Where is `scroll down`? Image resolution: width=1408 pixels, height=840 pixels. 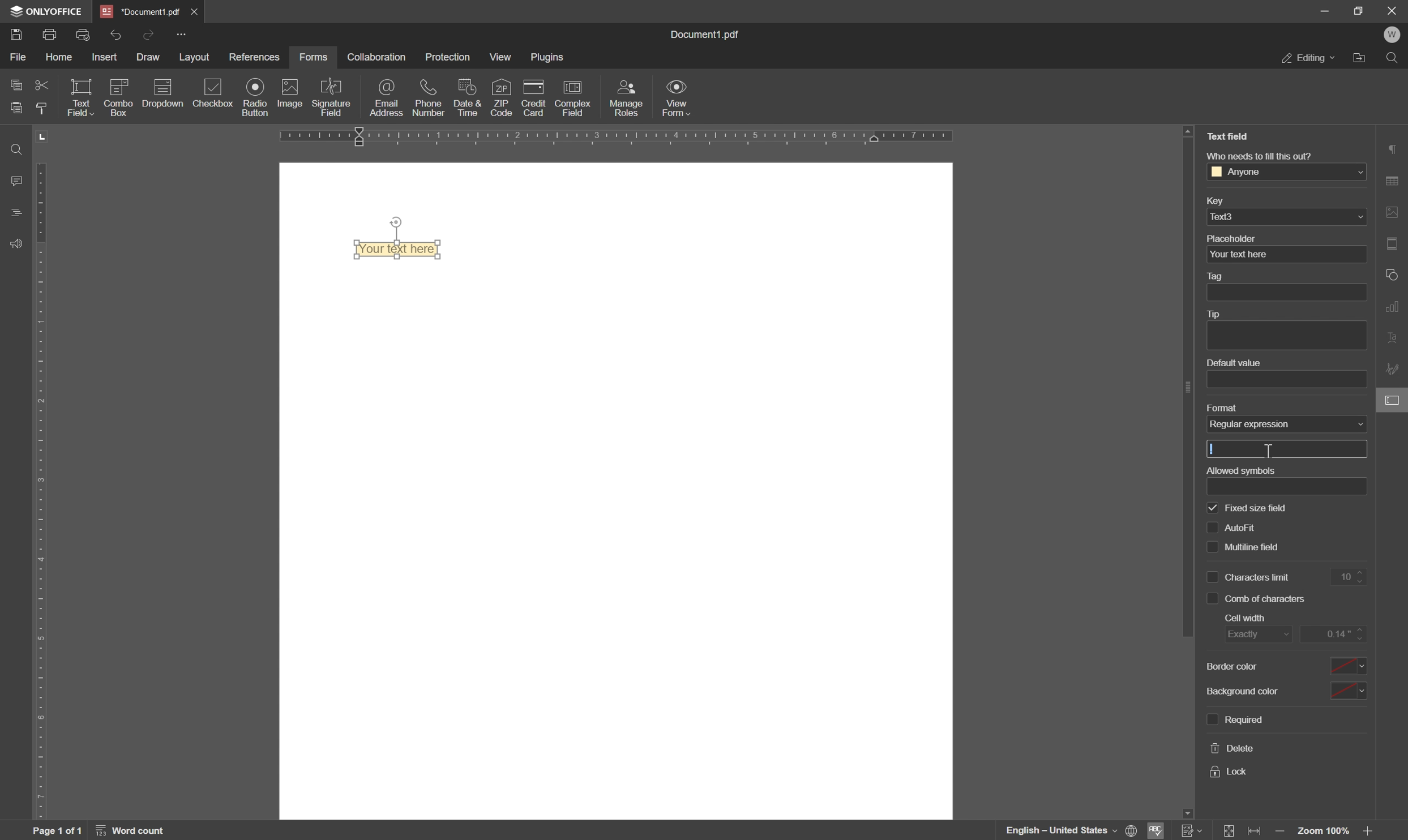
scroll down is located at coordinates (1186, 811).